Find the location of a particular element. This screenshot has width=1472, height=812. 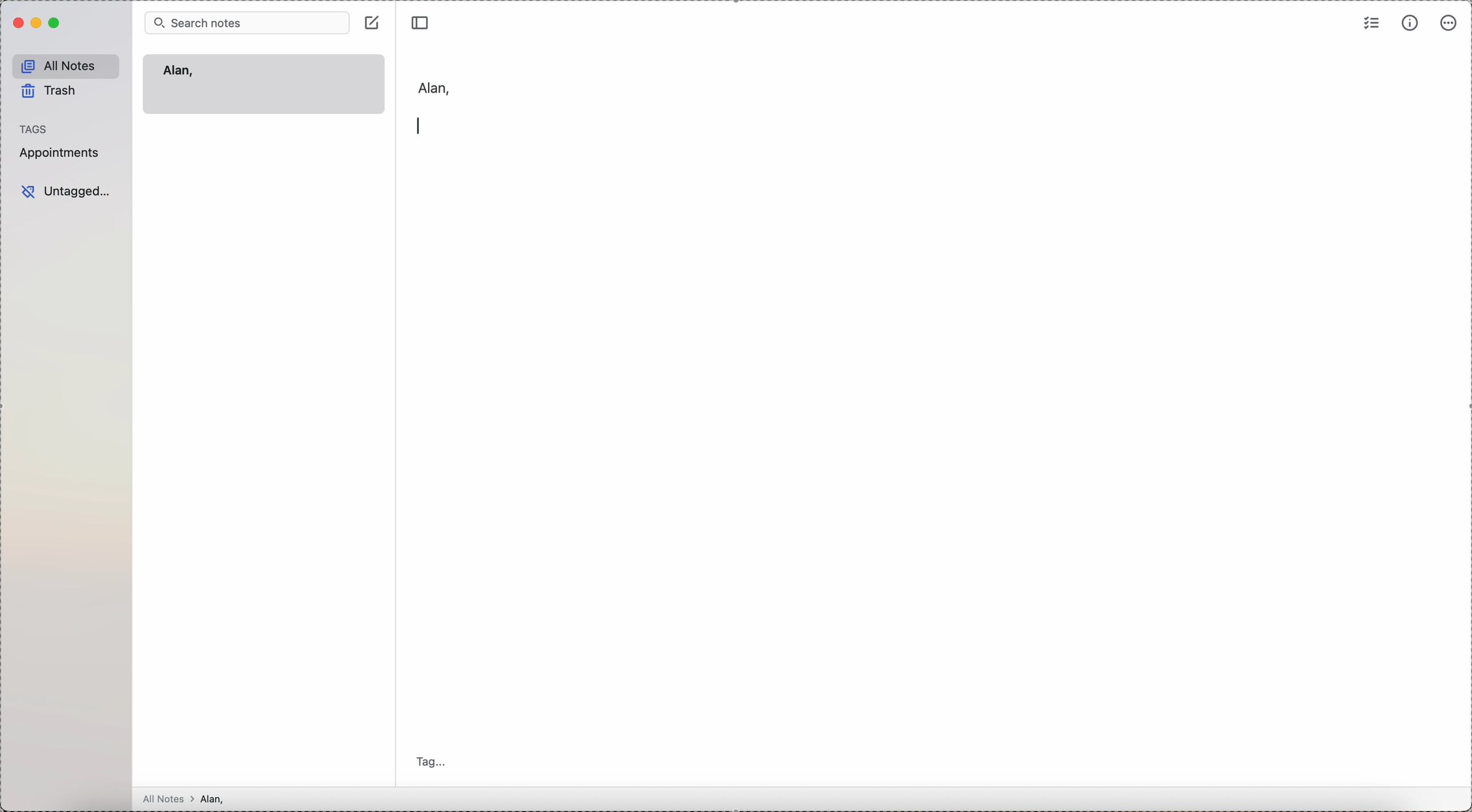

tag is located at coordinates (434, 763).